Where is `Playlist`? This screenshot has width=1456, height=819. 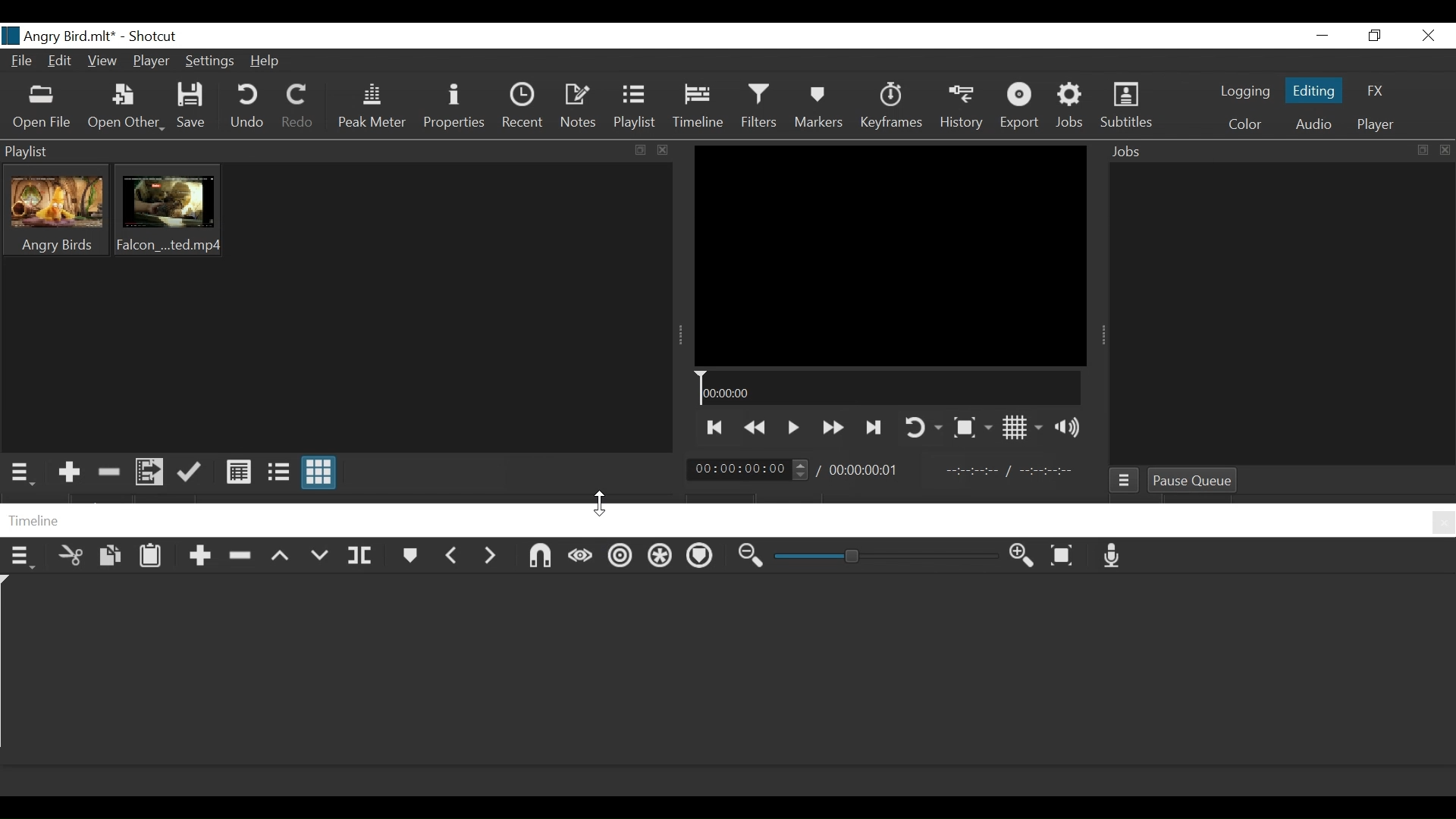
Playlist is located at coordinates (638, 108).